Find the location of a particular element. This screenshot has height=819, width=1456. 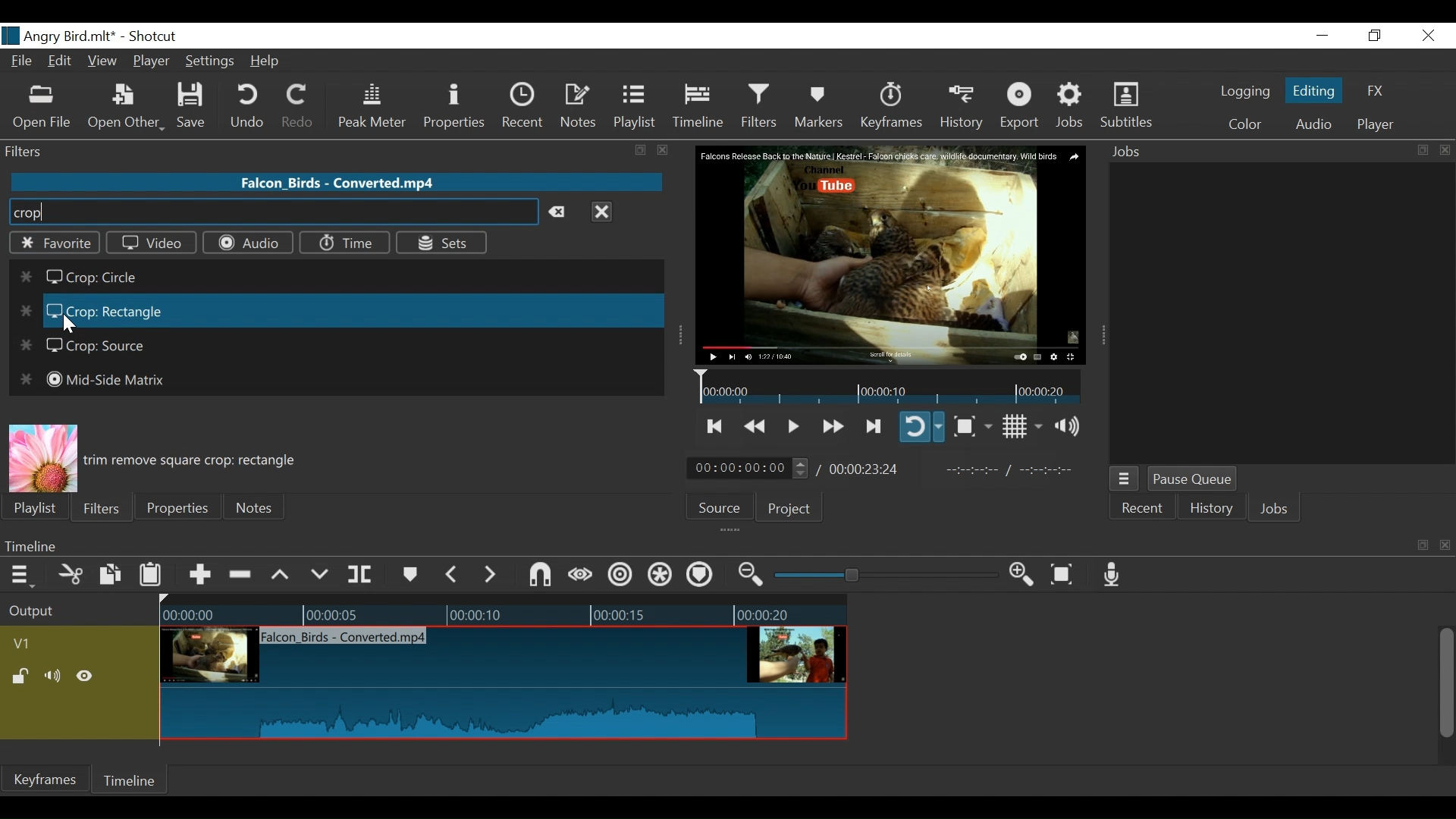

Restore is located at coordinates (1375, 36).